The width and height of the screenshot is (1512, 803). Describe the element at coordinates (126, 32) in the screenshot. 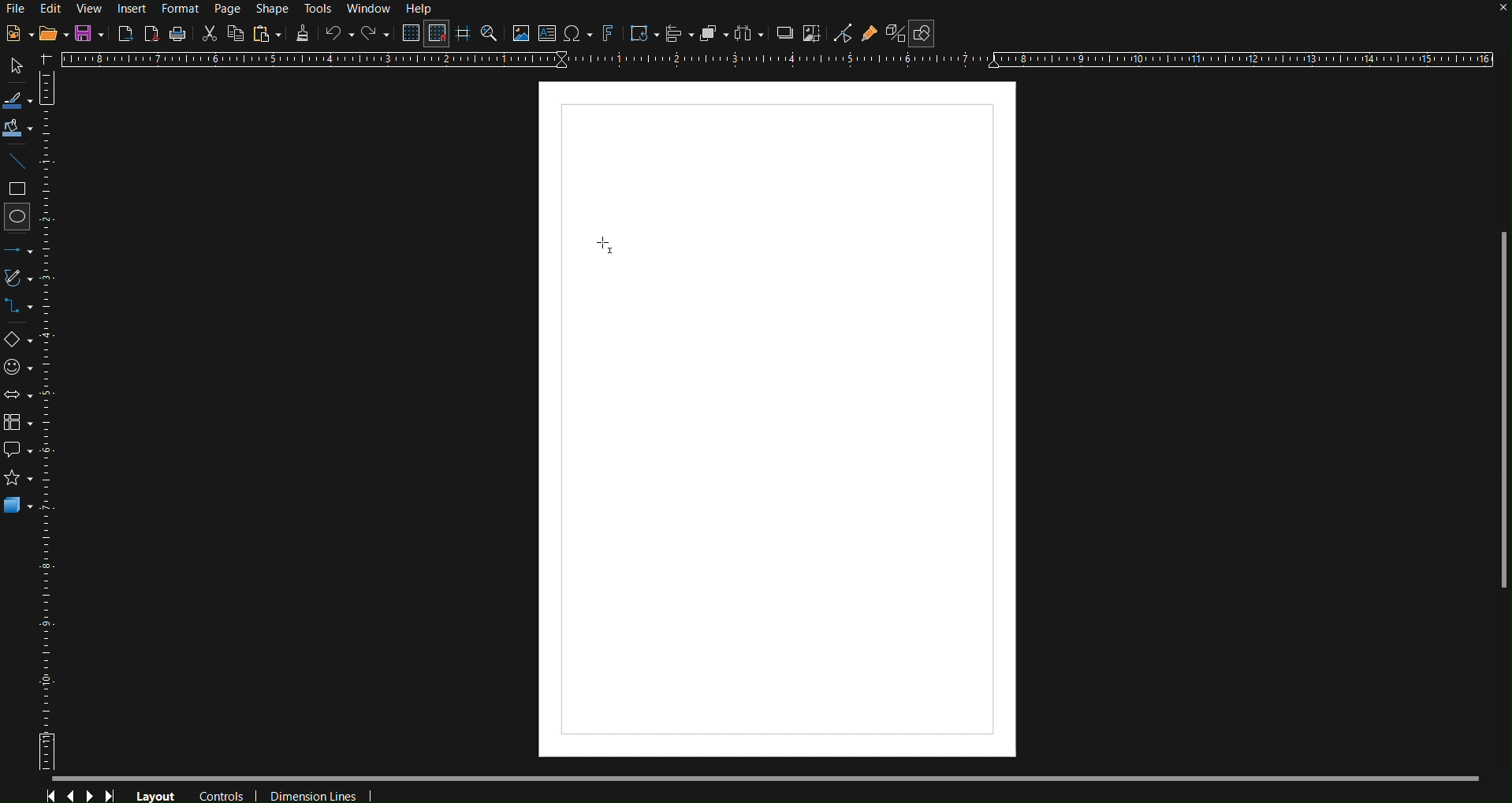

I see `Export` at that location.